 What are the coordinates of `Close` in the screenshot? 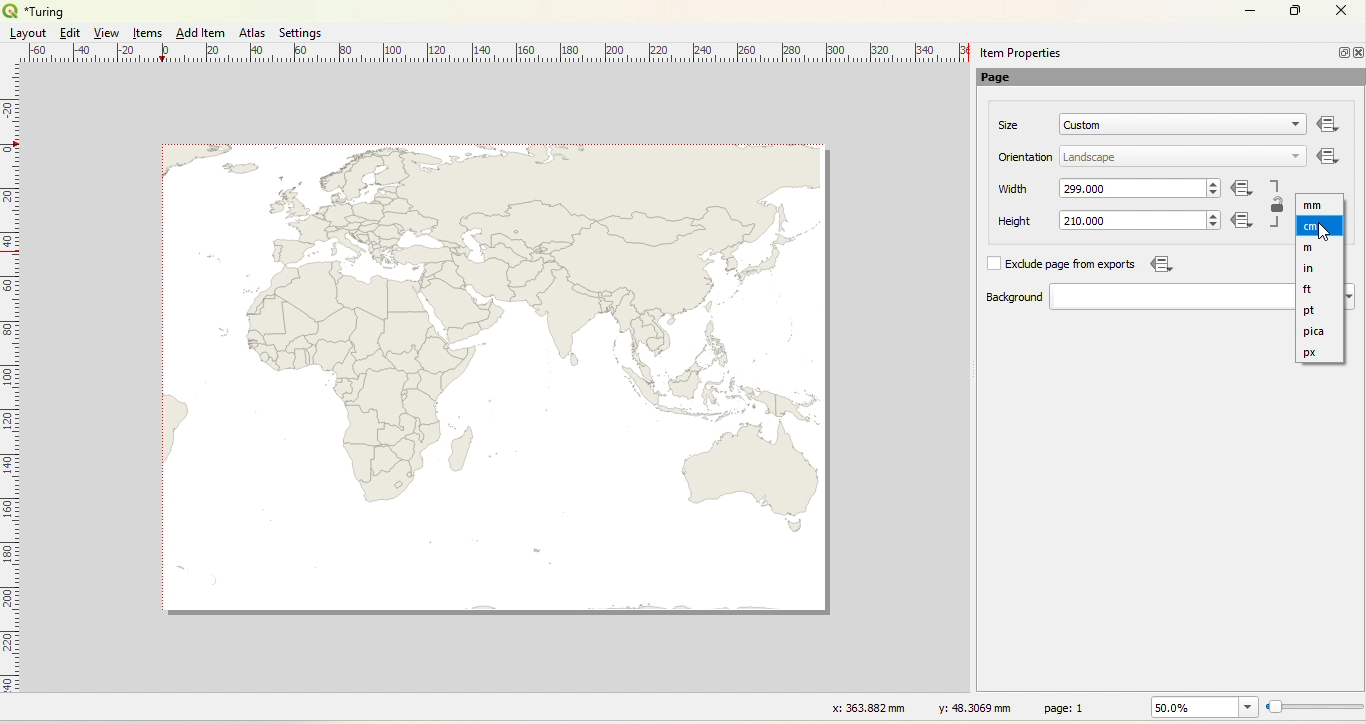 It's located at (1340, 13).